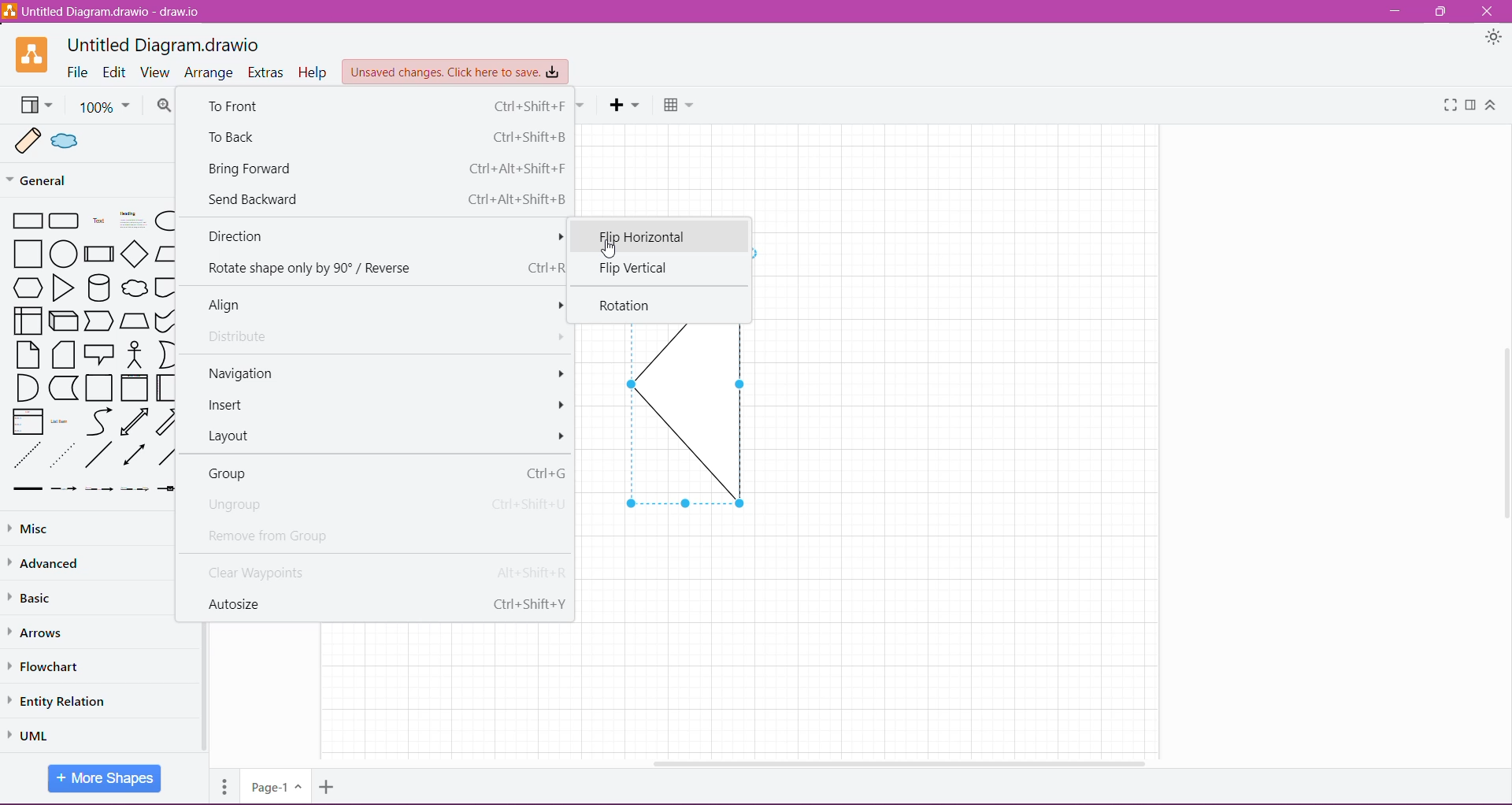 The width and height of the screenshot is (1512, 805). I want to click on Appearance, so click(1493, 39).